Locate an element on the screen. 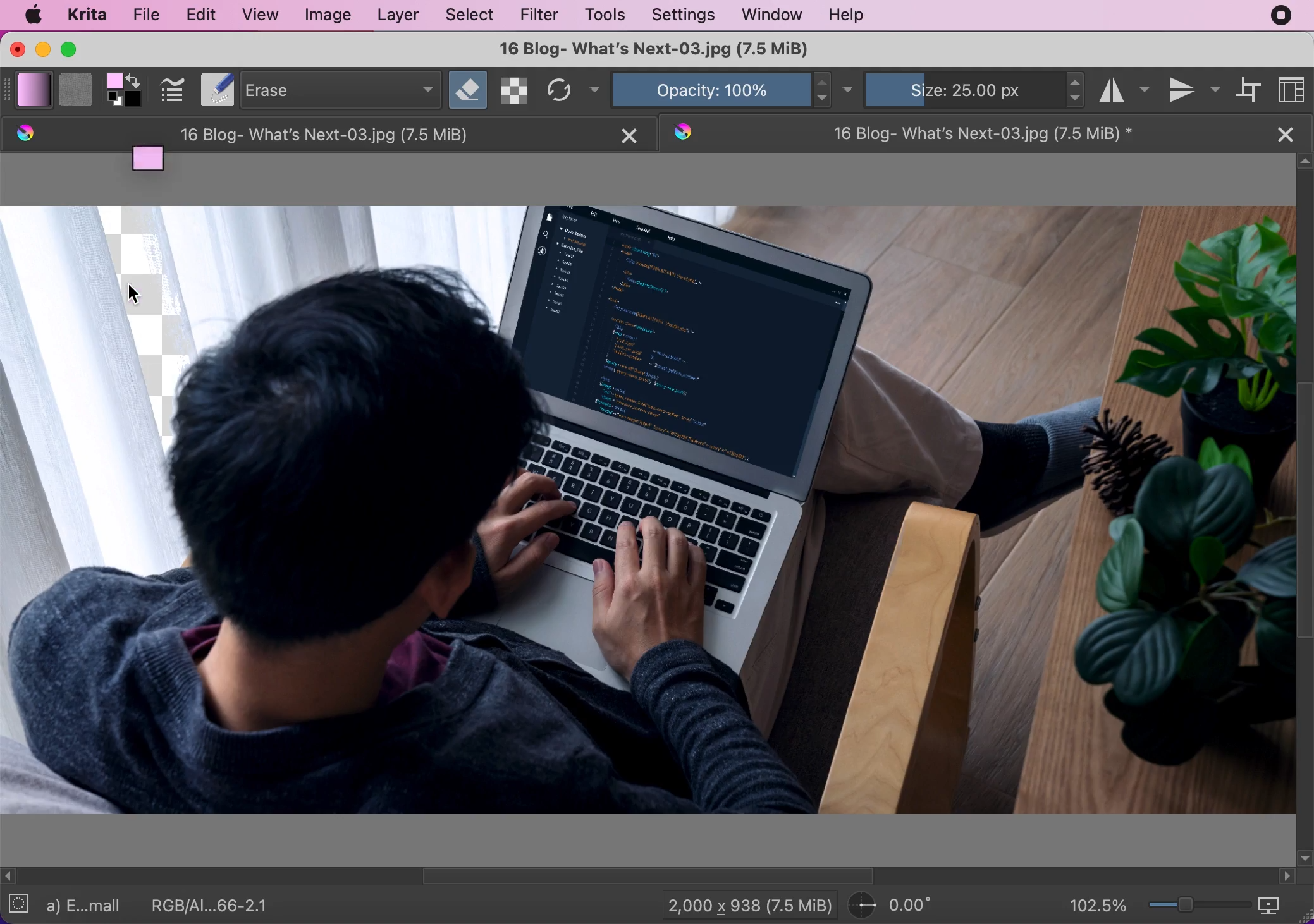  2,000 x 938(7.5 MiB) is located at coordinates (743, 904).